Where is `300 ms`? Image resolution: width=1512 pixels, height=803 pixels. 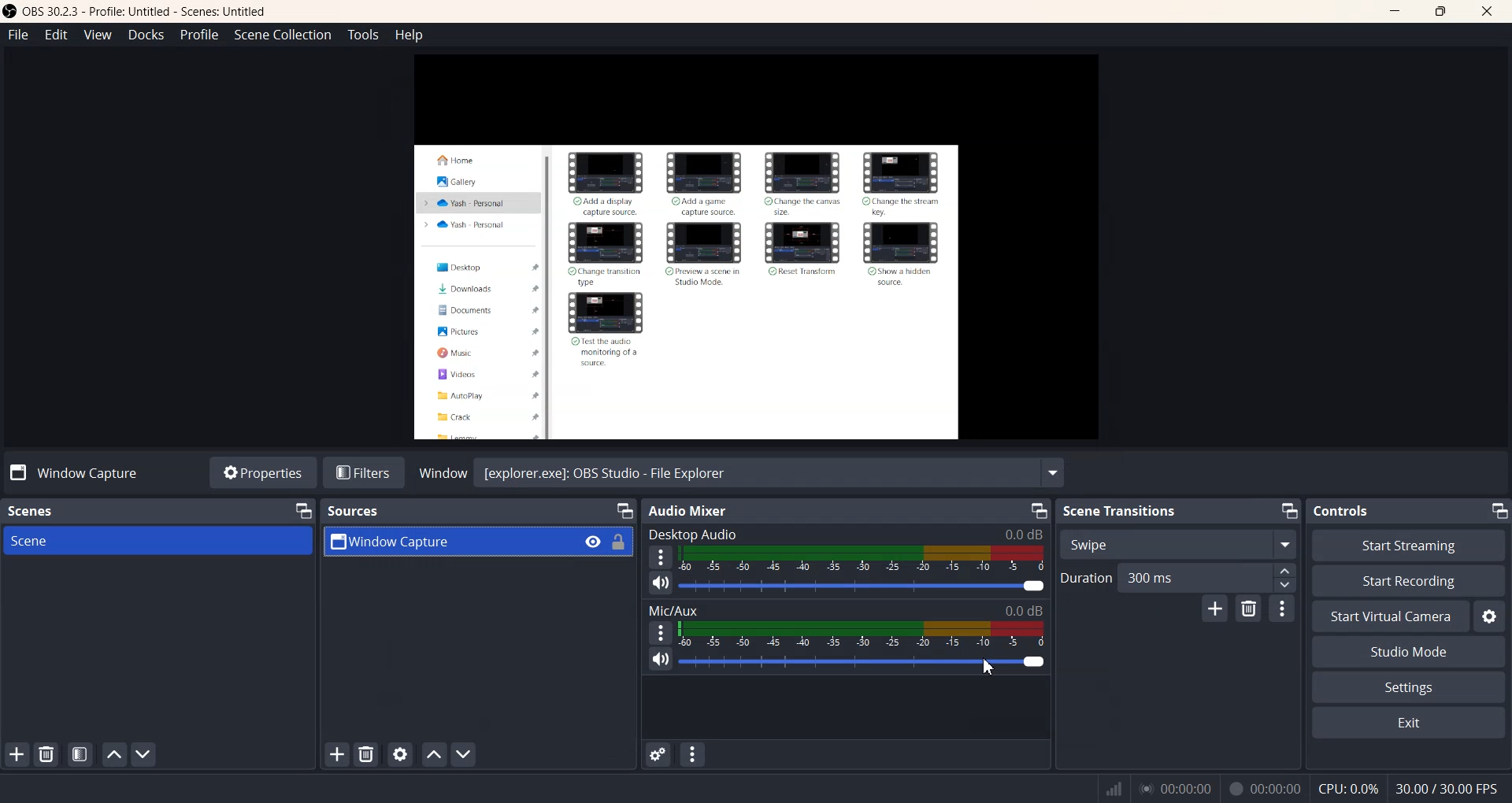 300 ms is located at coordinates (1210, 576).